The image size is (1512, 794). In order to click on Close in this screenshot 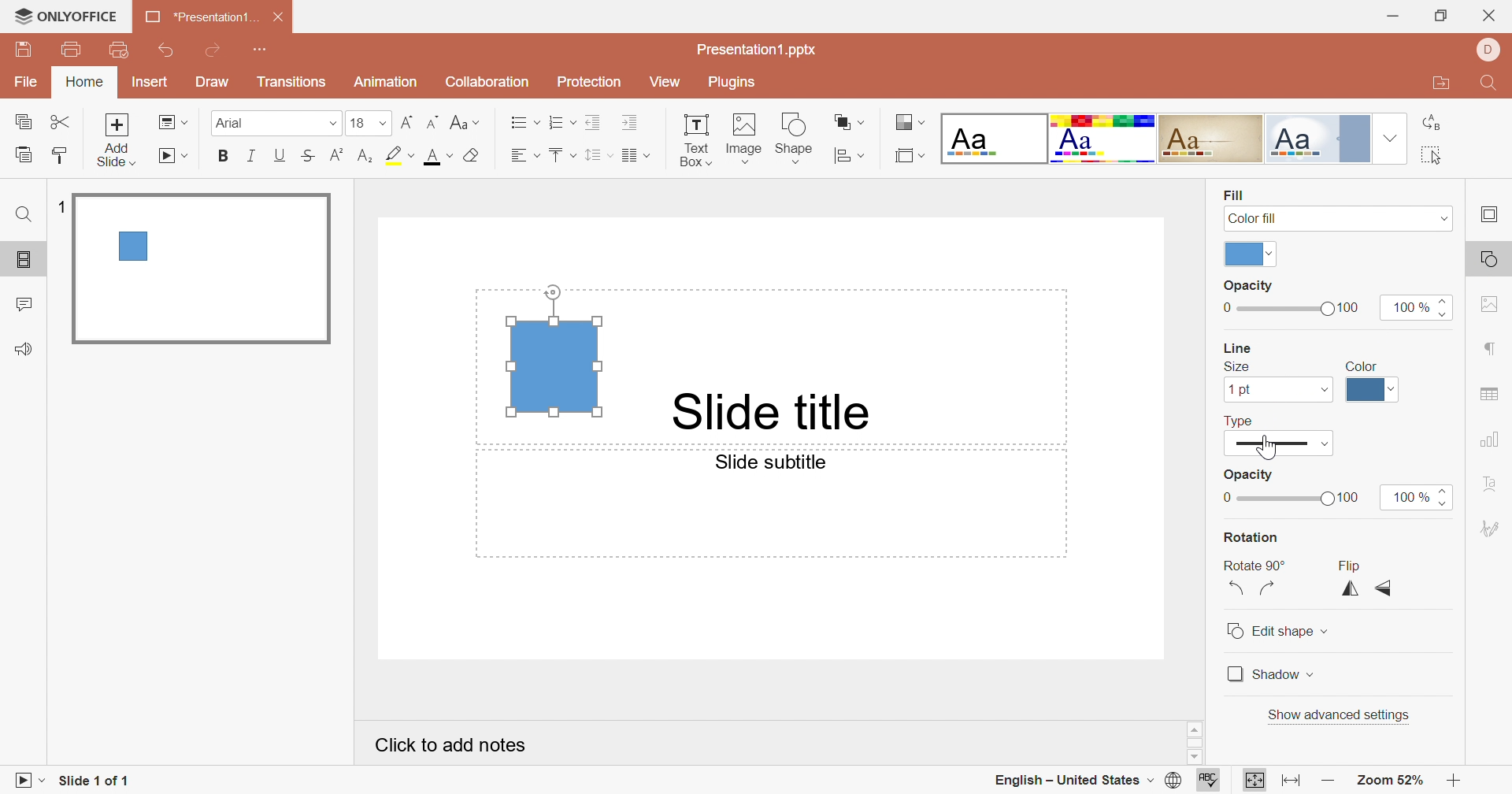, I will do `click(275, 19)`.